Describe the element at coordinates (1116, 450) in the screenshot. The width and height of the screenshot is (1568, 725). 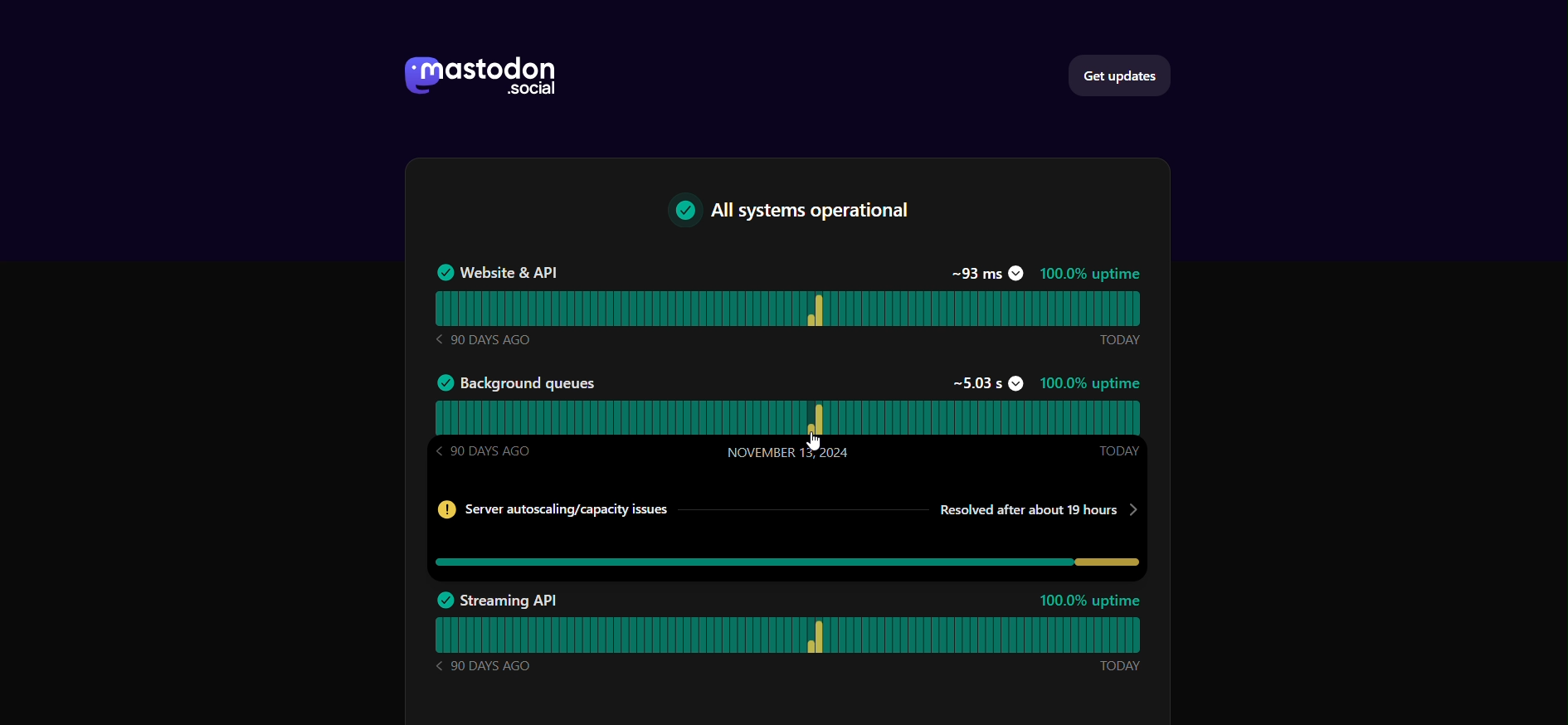
I see `Today` at that location.